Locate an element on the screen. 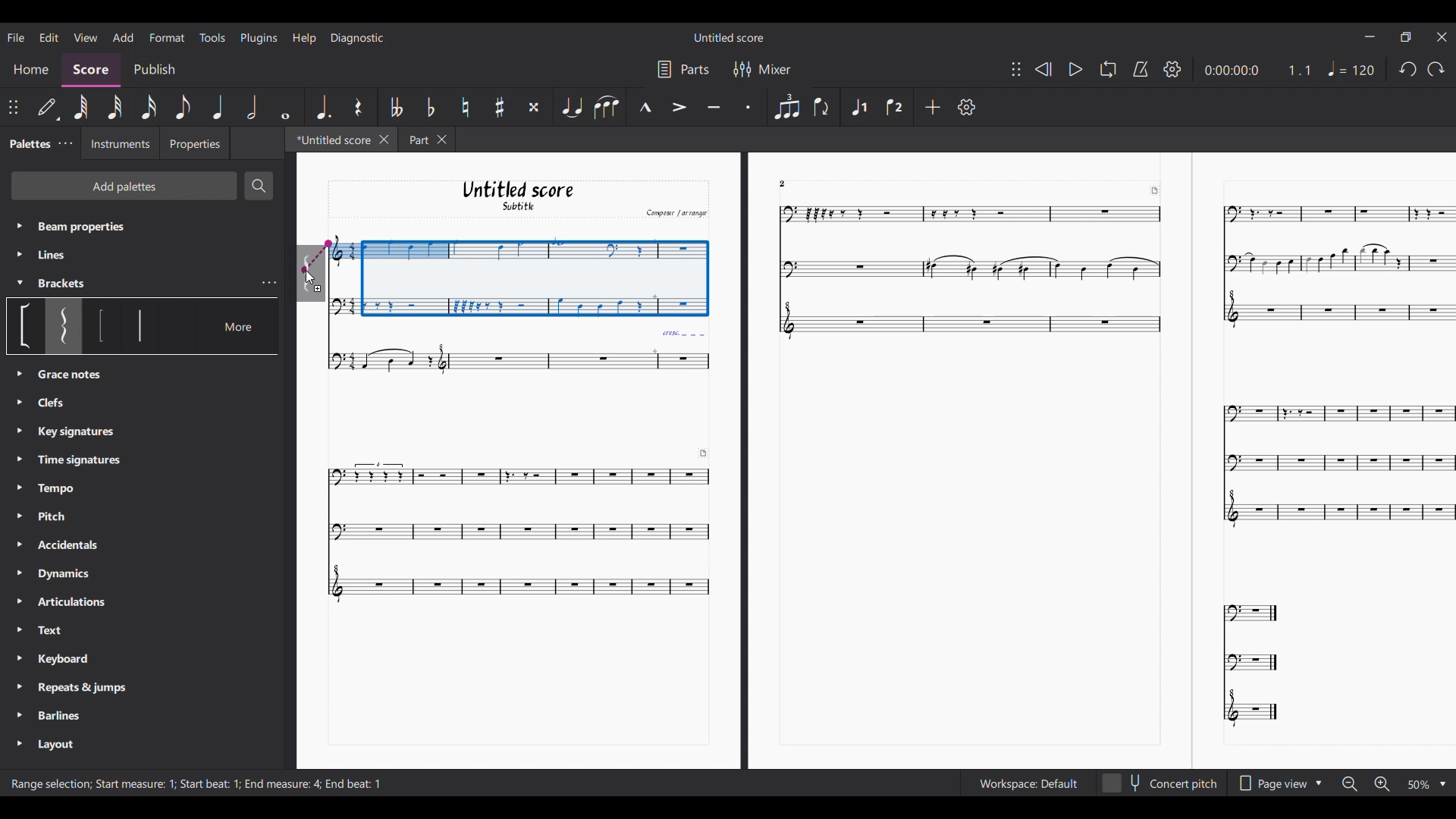 The height and width of the screenshot is (819, 1456).  is located at coordinates (969, 268).